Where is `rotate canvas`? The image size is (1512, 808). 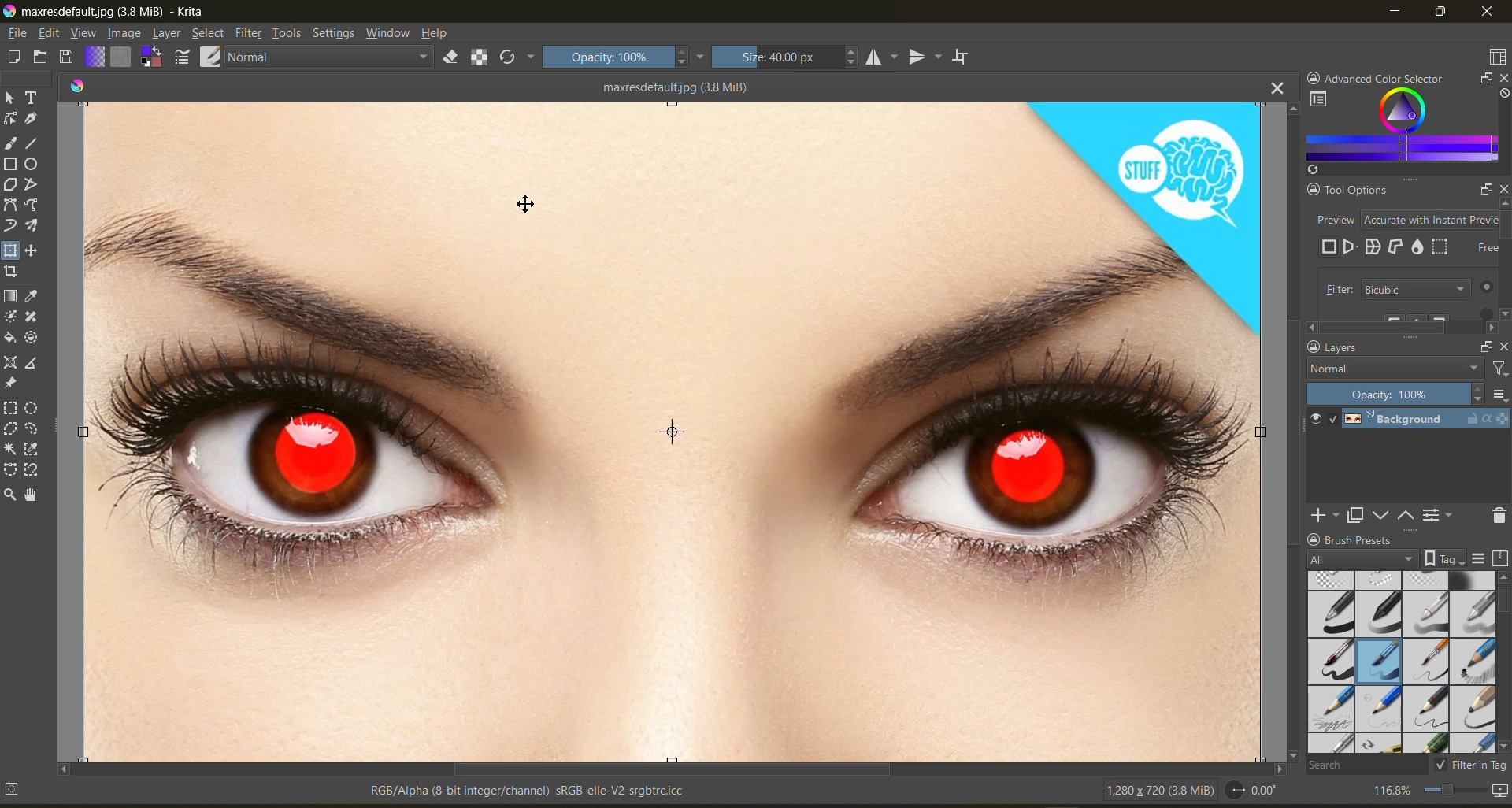 rotate canvas is located at coordinates (1256, 793).